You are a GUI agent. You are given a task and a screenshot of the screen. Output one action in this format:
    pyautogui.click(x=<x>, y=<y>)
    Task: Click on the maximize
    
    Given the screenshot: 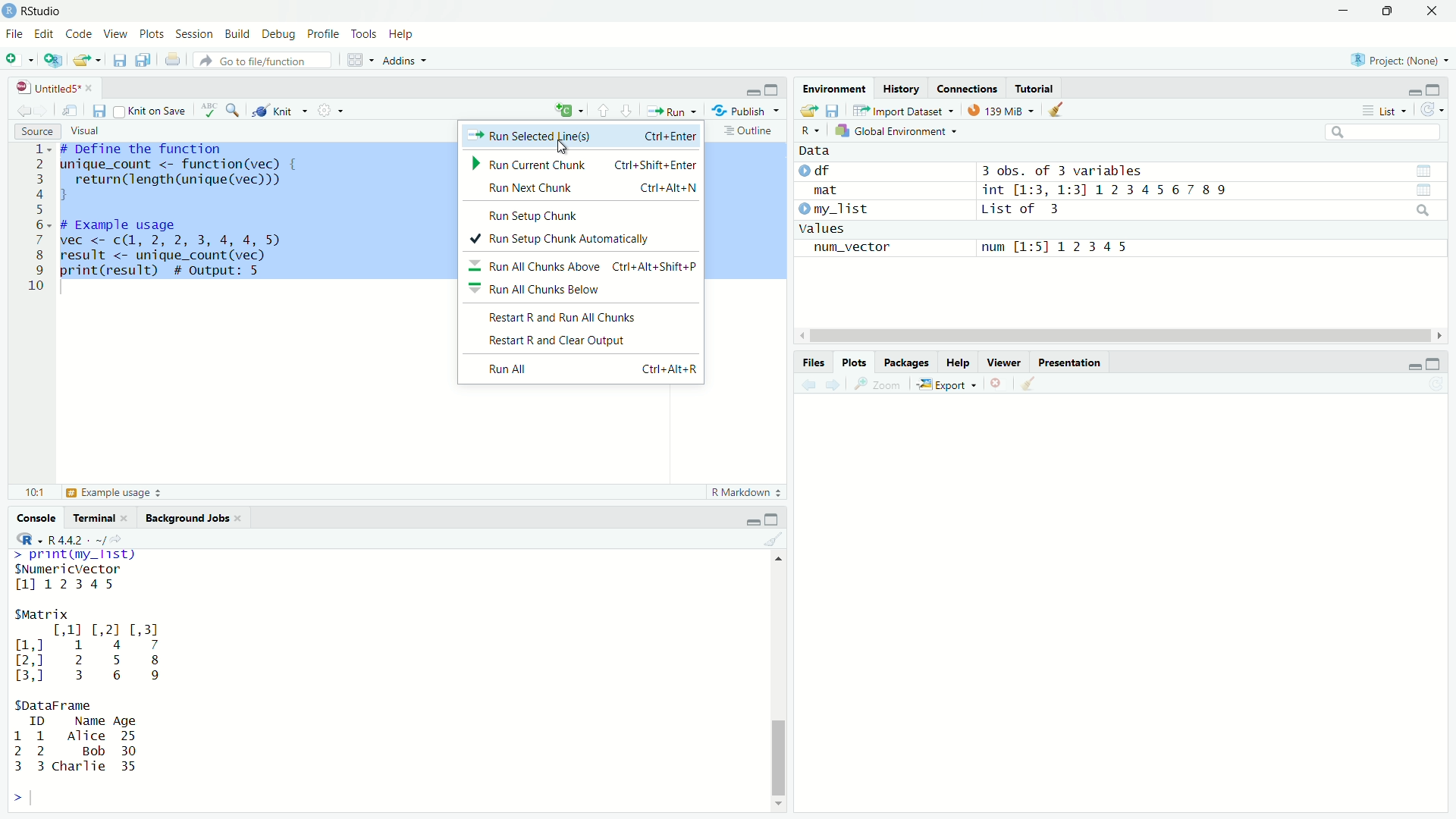 What is the action you would take?
    pyautogui.click(x=772, y=519)
    